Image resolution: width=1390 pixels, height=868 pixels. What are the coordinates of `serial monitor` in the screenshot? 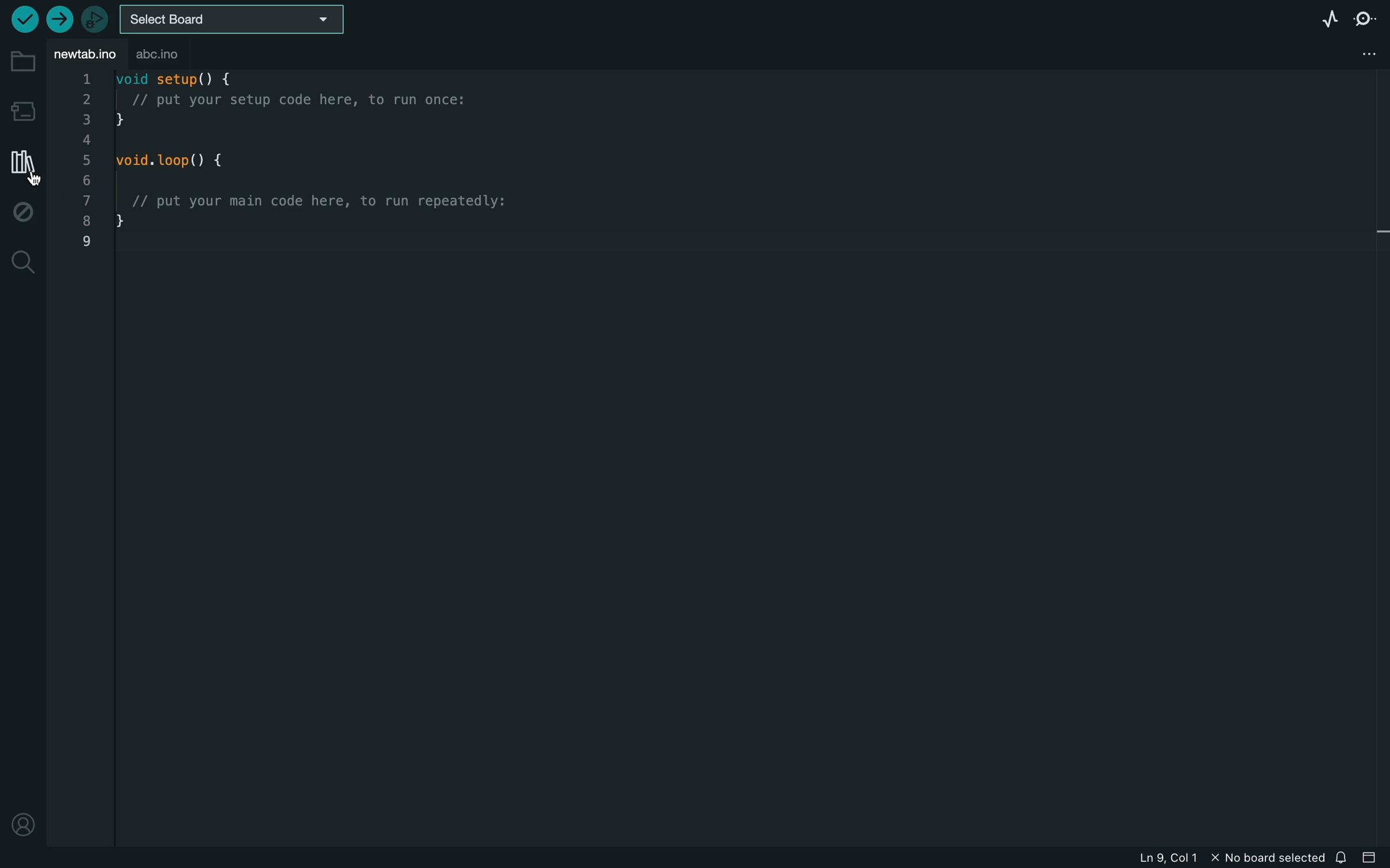 It's located at (1365, 20).